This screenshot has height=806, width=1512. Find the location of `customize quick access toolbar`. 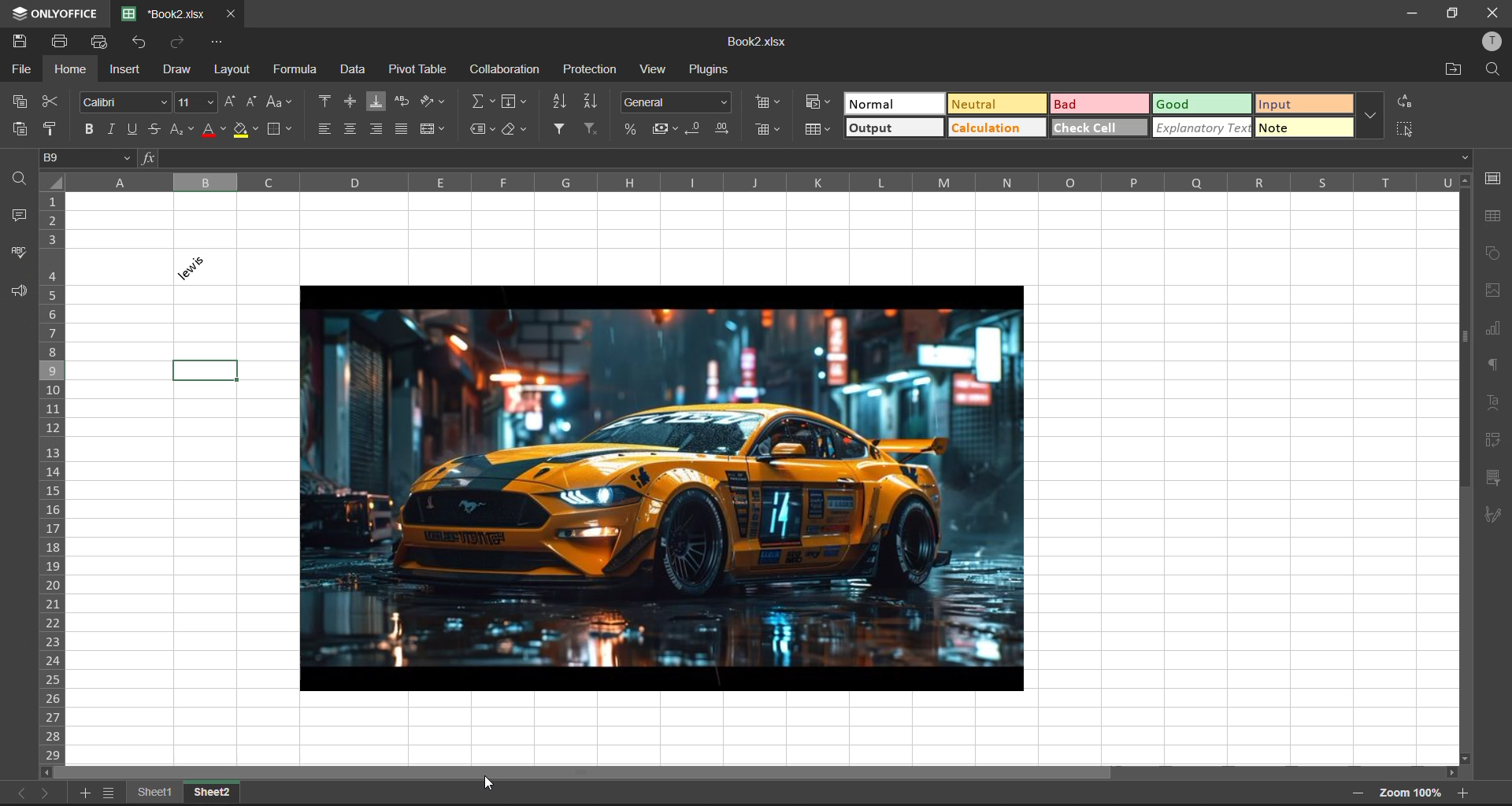

customize quick access toolbar is located at coordinates (223, 46).